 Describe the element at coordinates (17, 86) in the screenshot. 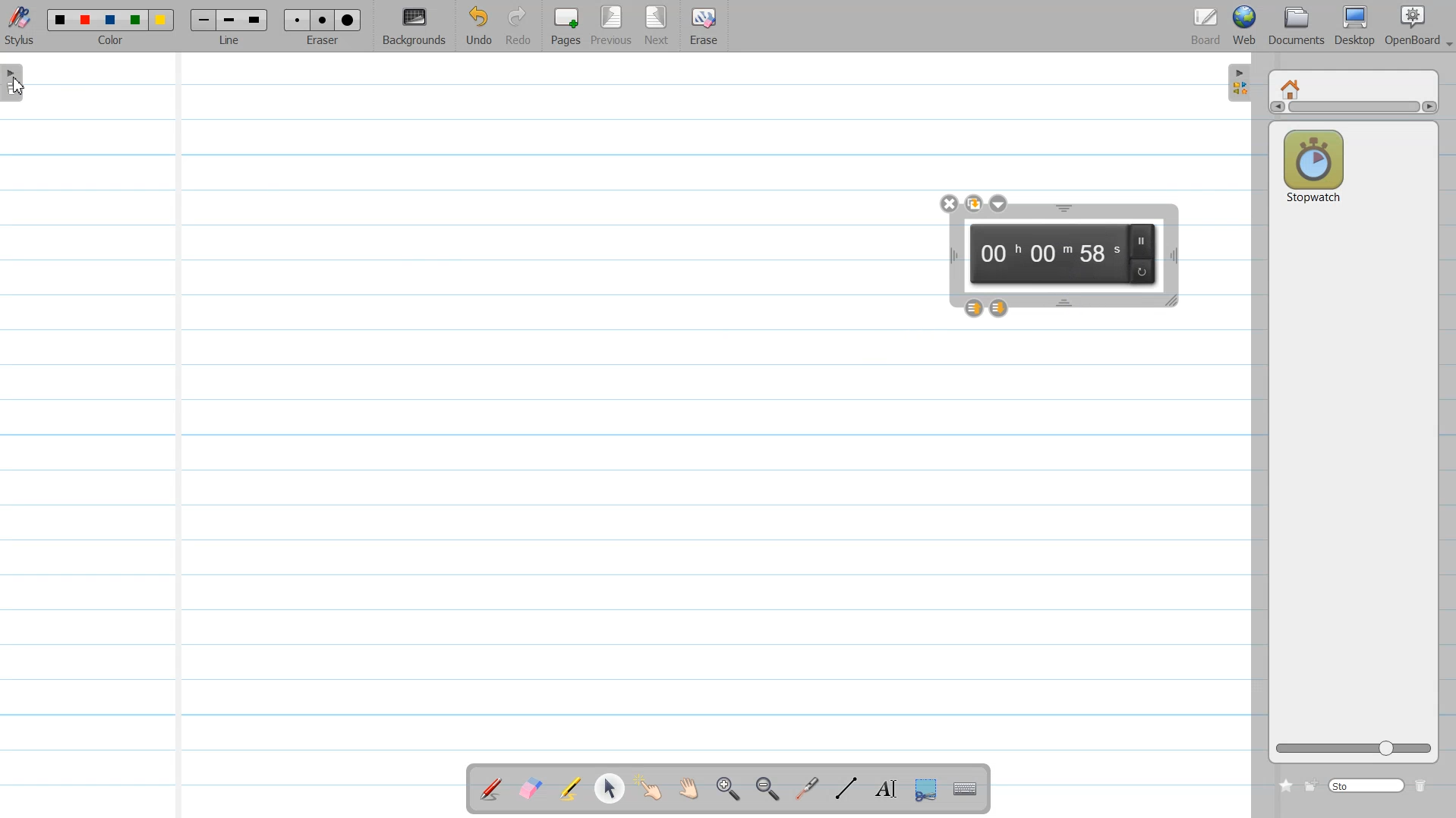

I see `Sidebar` at that location.